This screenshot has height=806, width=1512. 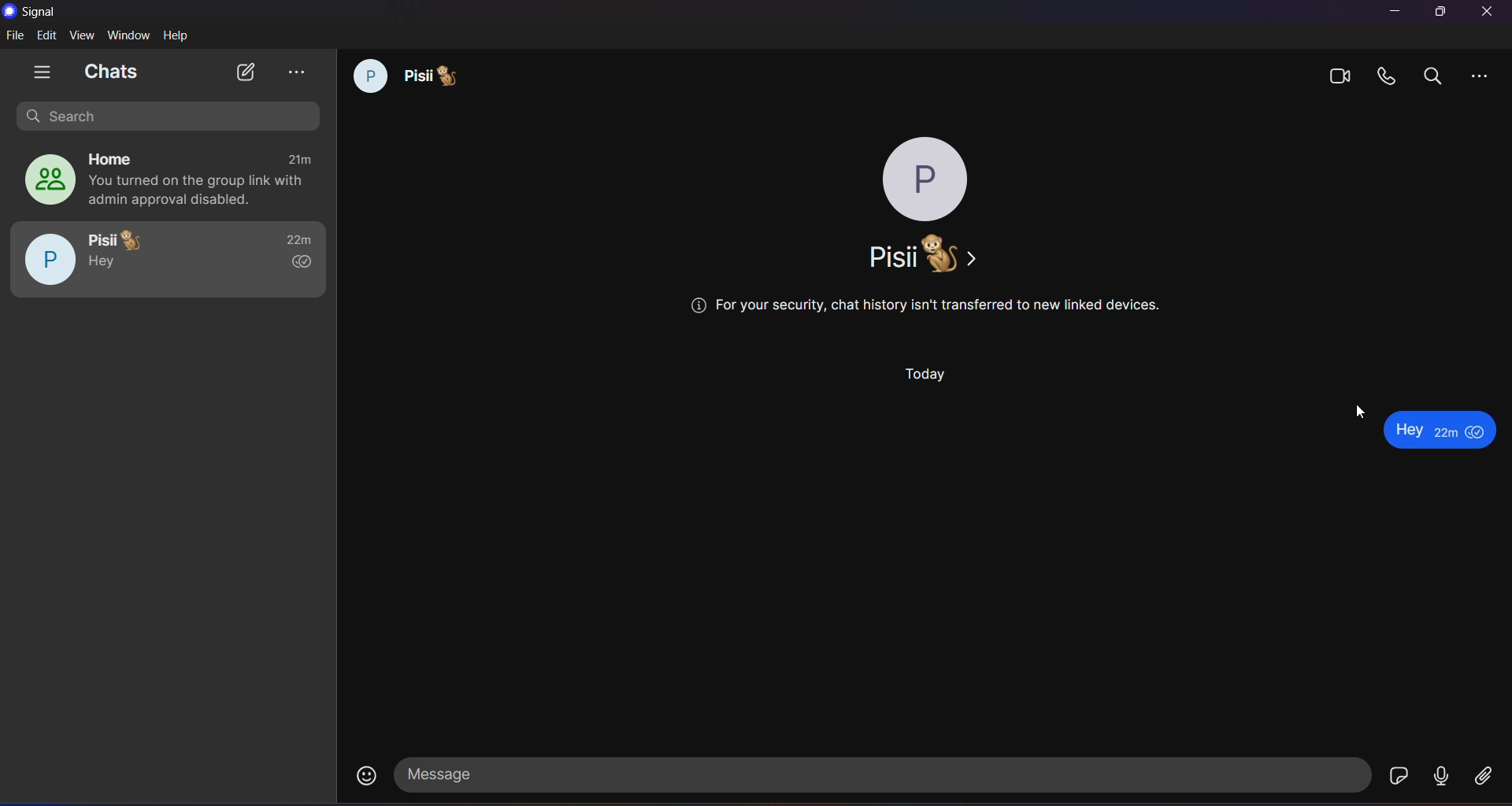 What do you see at coordinates (164, 181) in the screenshot?
I see `home group chat` at bounding box center [164, 181].